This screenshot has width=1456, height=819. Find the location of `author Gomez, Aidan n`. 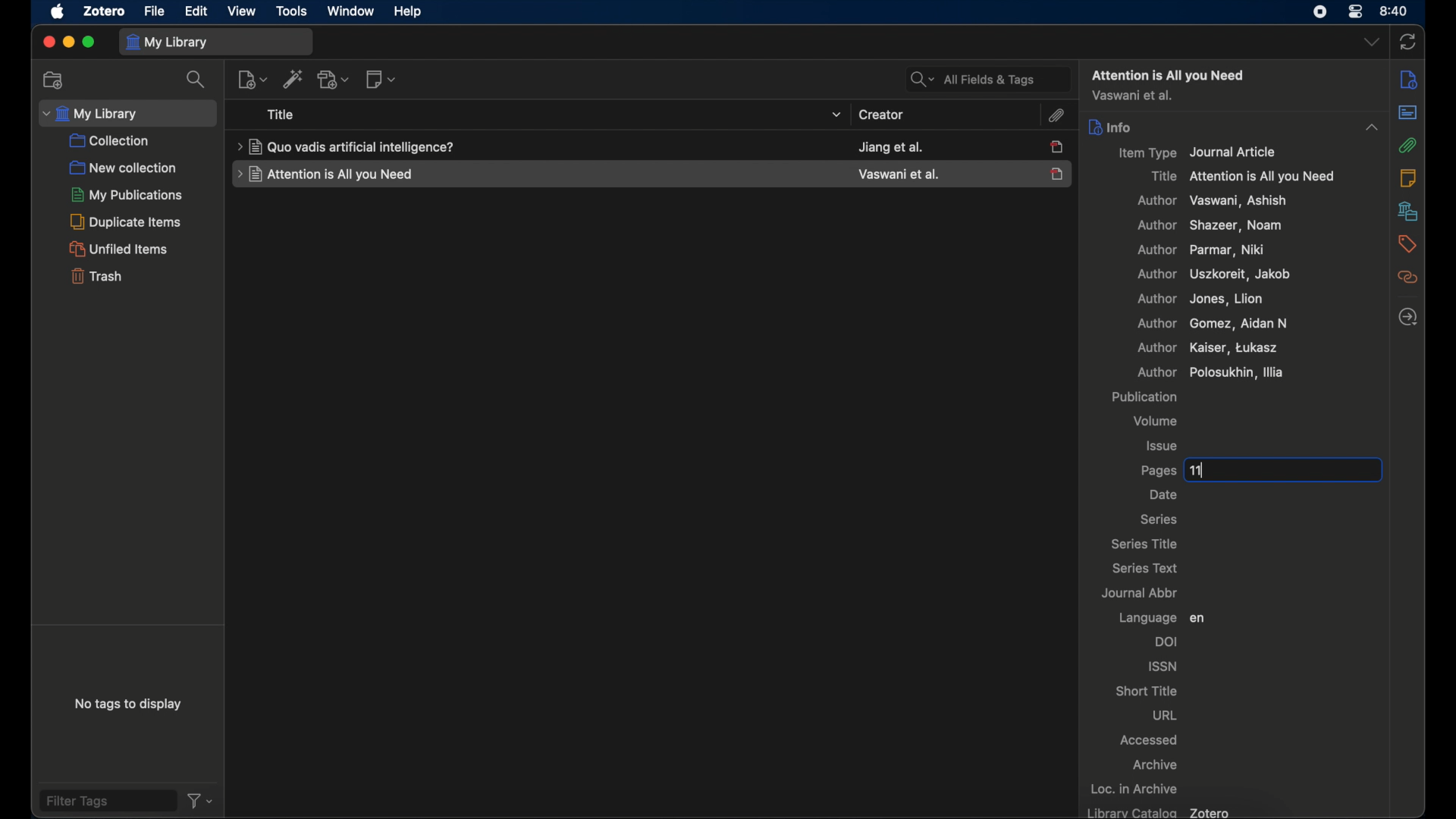

author Gomez, Aidan n is located at coordinates (1211, 324).